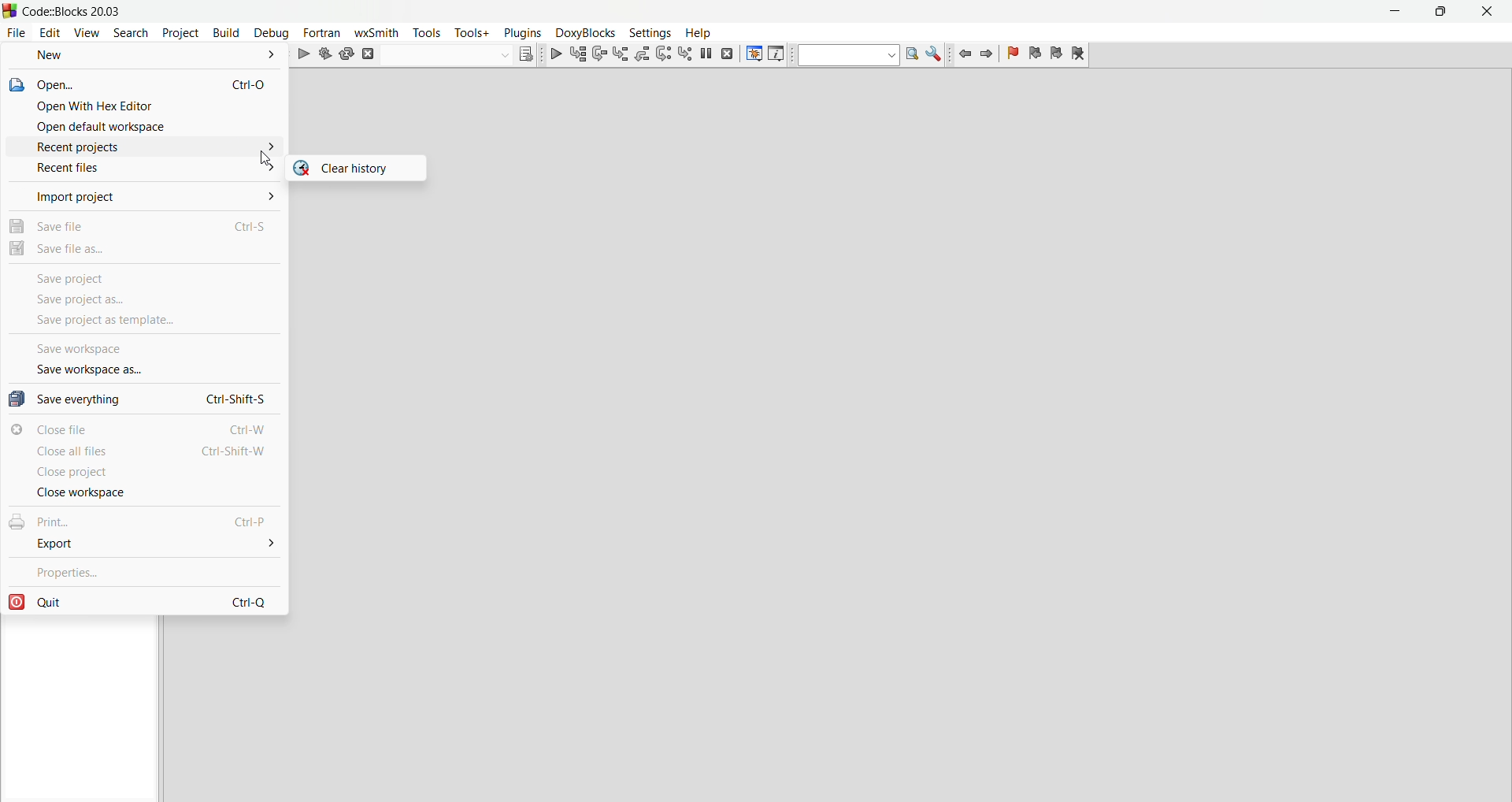 The image size is (1512, 802). What do you see at coordinates (147, 300) in the screenshot?
I see `save project as` at bounding box center [147, 300].